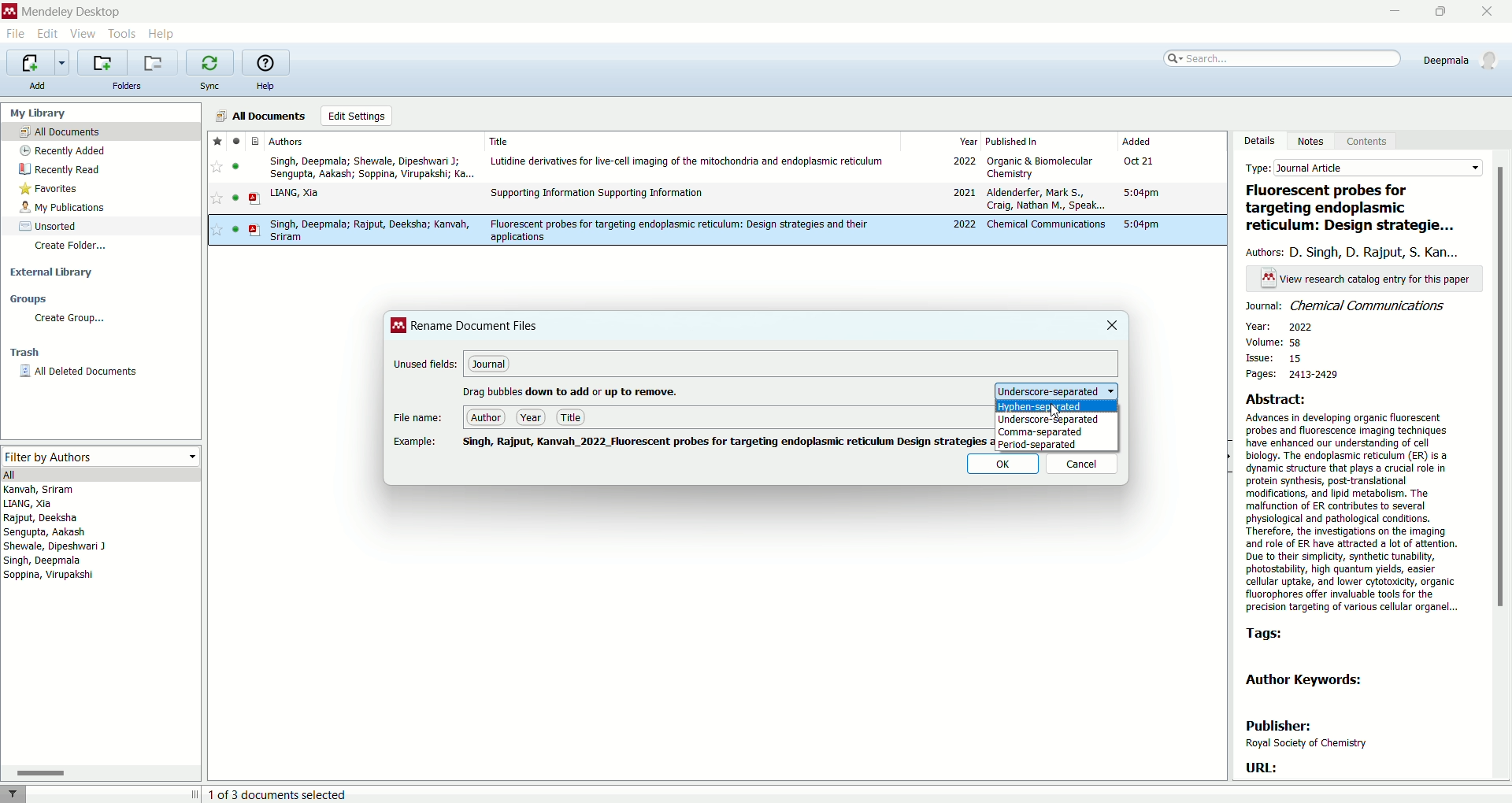  Describe the element at coordinates (72, 250) in the screenshot. I see `create folder` at that location.